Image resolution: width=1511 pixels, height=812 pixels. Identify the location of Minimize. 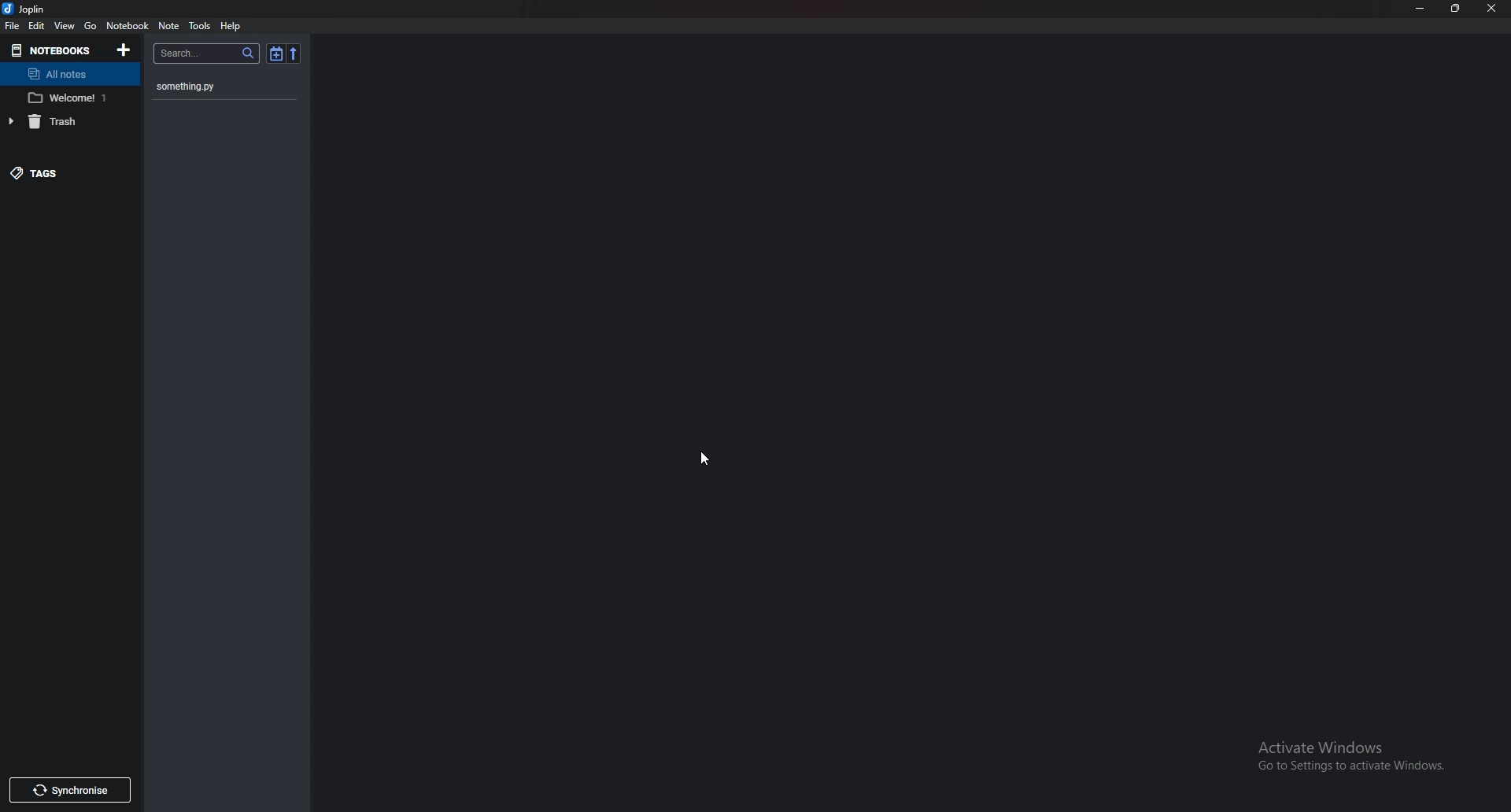
(1420, 8).